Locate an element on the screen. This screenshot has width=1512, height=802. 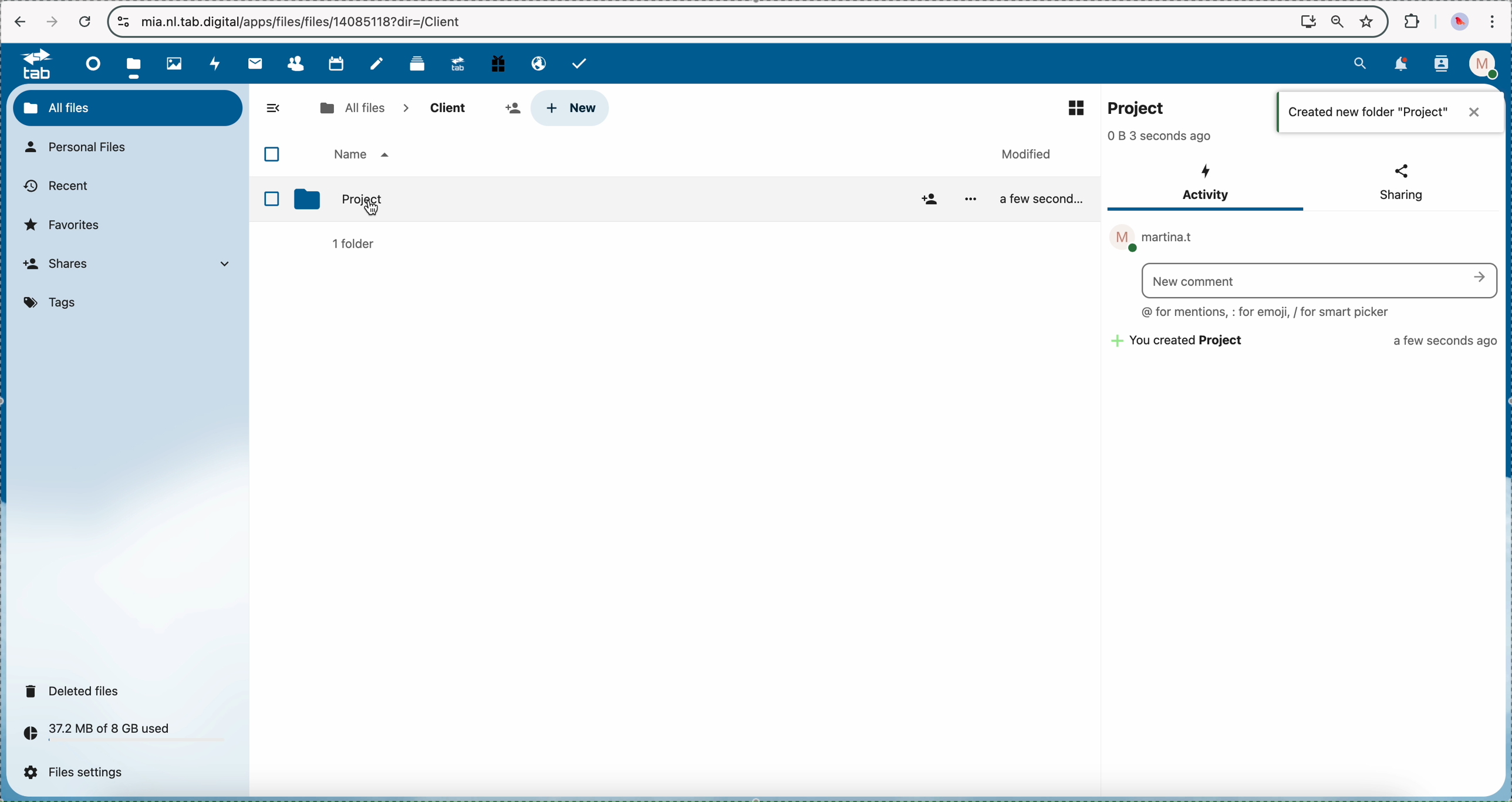
upgrade is located at coordinates (458, 63).